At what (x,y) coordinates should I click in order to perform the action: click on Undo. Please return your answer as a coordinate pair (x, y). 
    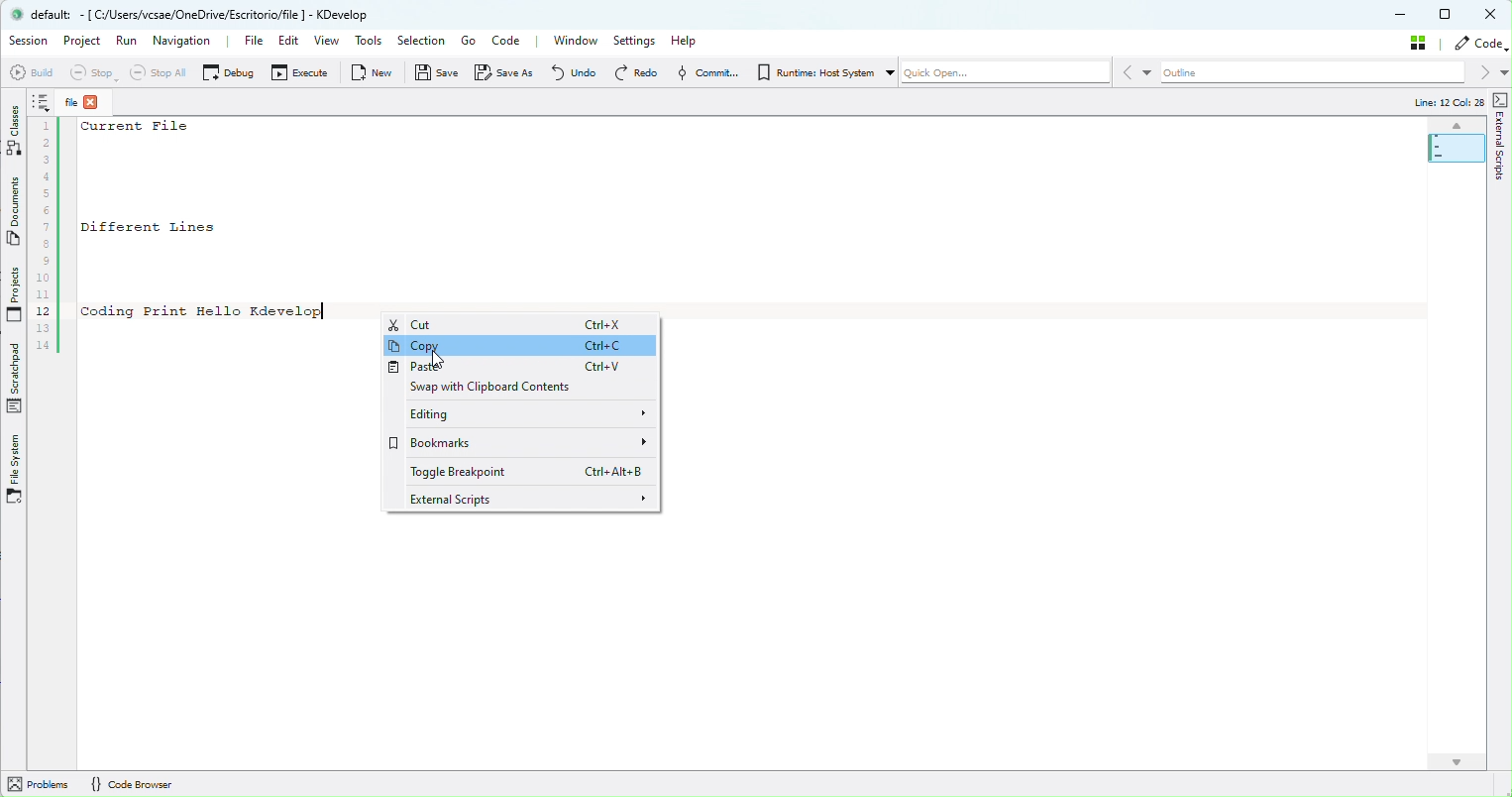
    Looking at the image, I should click on (580, 74).